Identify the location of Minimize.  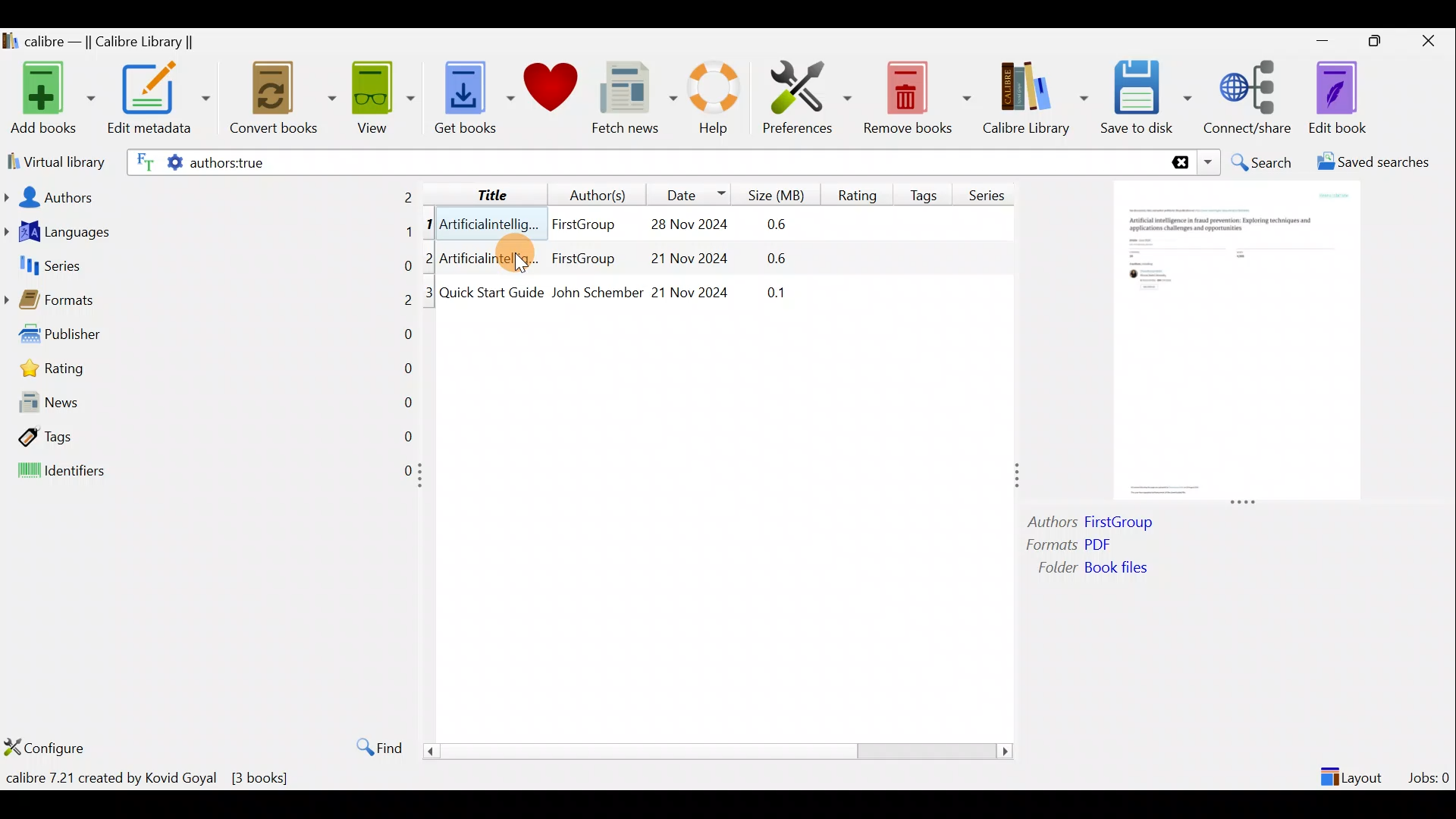
(1323, 40).